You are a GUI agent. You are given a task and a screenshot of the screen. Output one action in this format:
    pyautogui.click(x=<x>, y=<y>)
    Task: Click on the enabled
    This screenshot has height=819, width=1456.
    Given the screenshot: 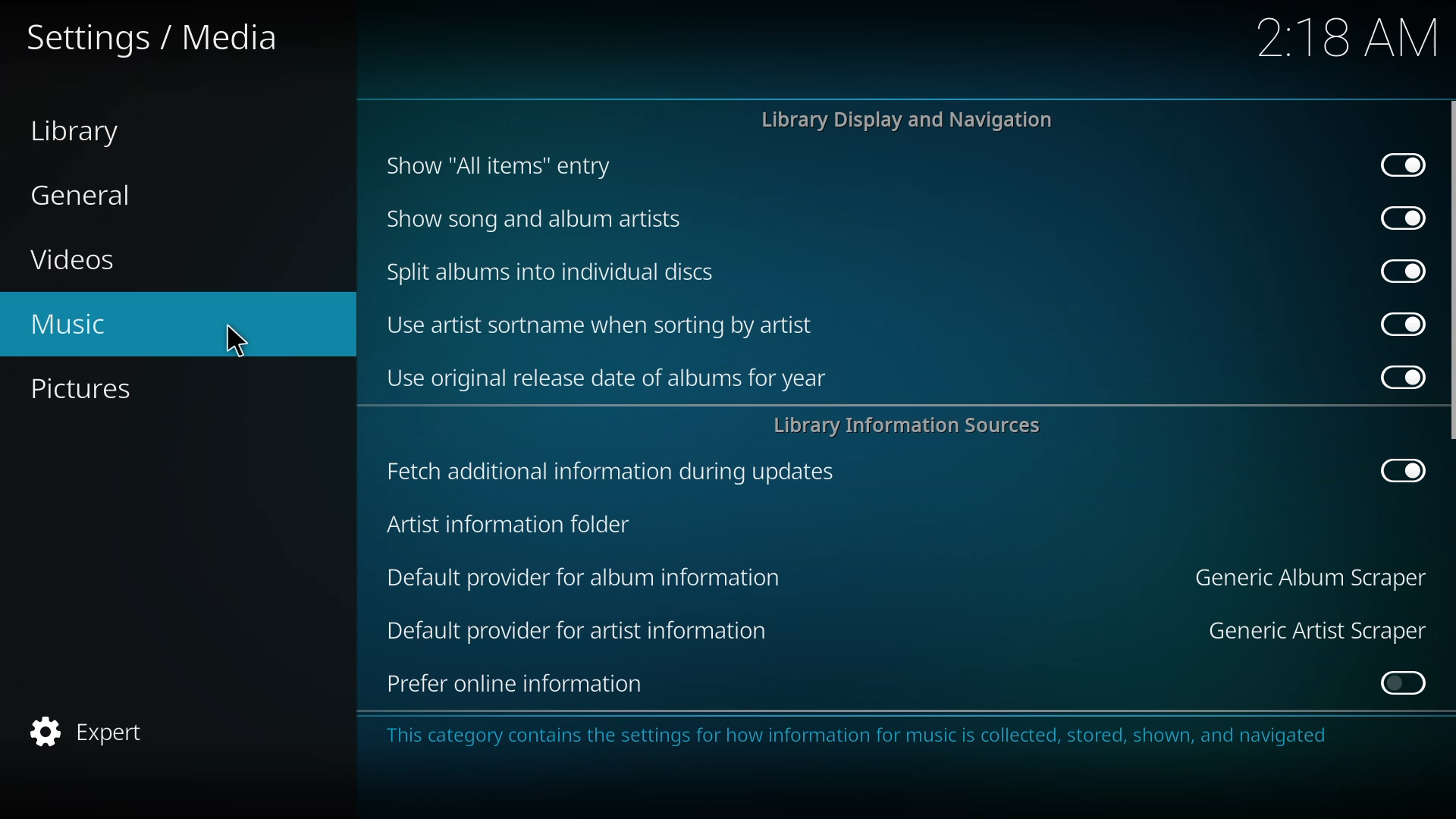 What is the action you would take?
    pyautogui.click(x=1397, y=469)
    